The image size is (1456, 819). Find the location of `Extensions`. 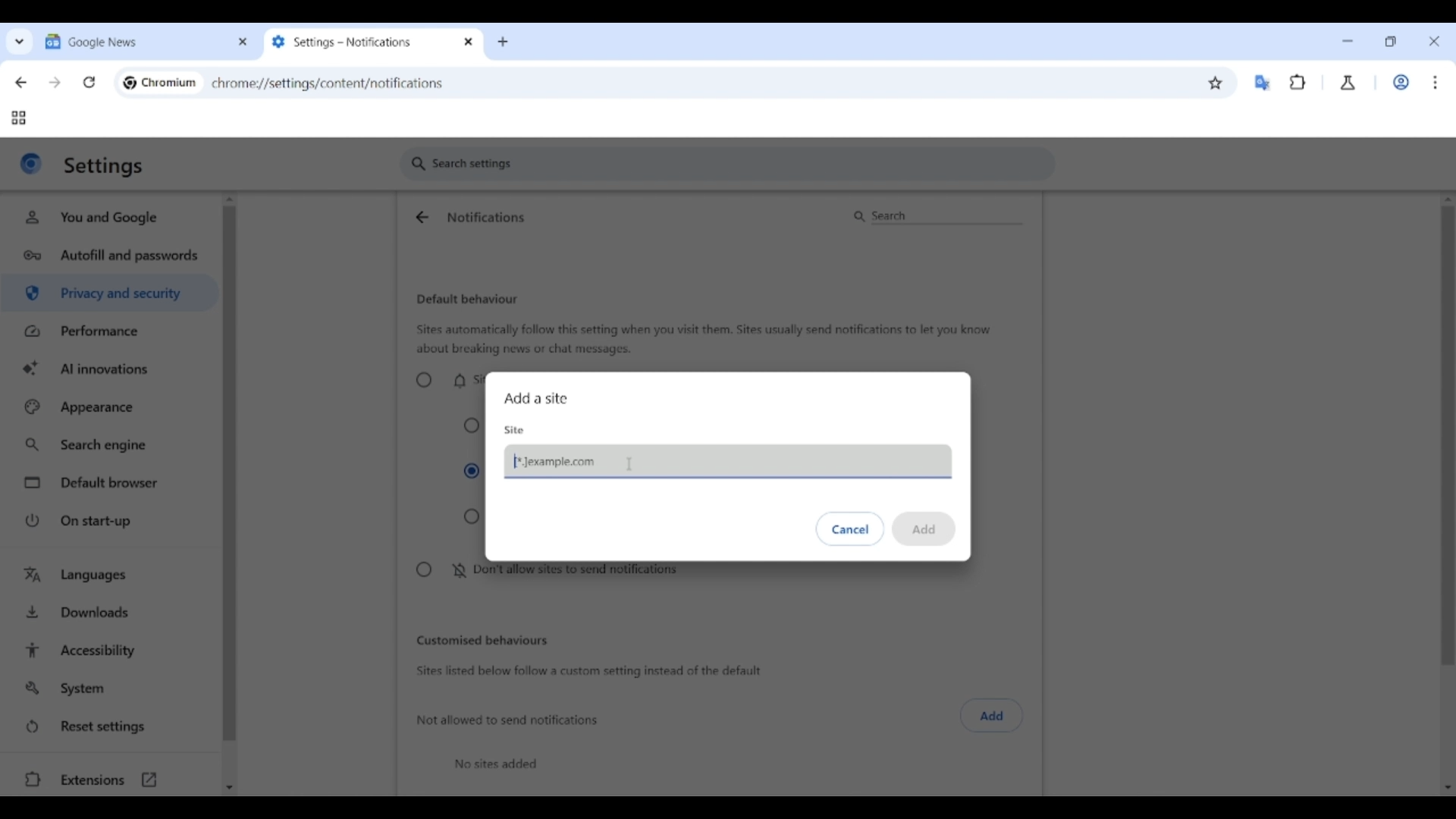

Extensions is located at coordinates (108, 780).